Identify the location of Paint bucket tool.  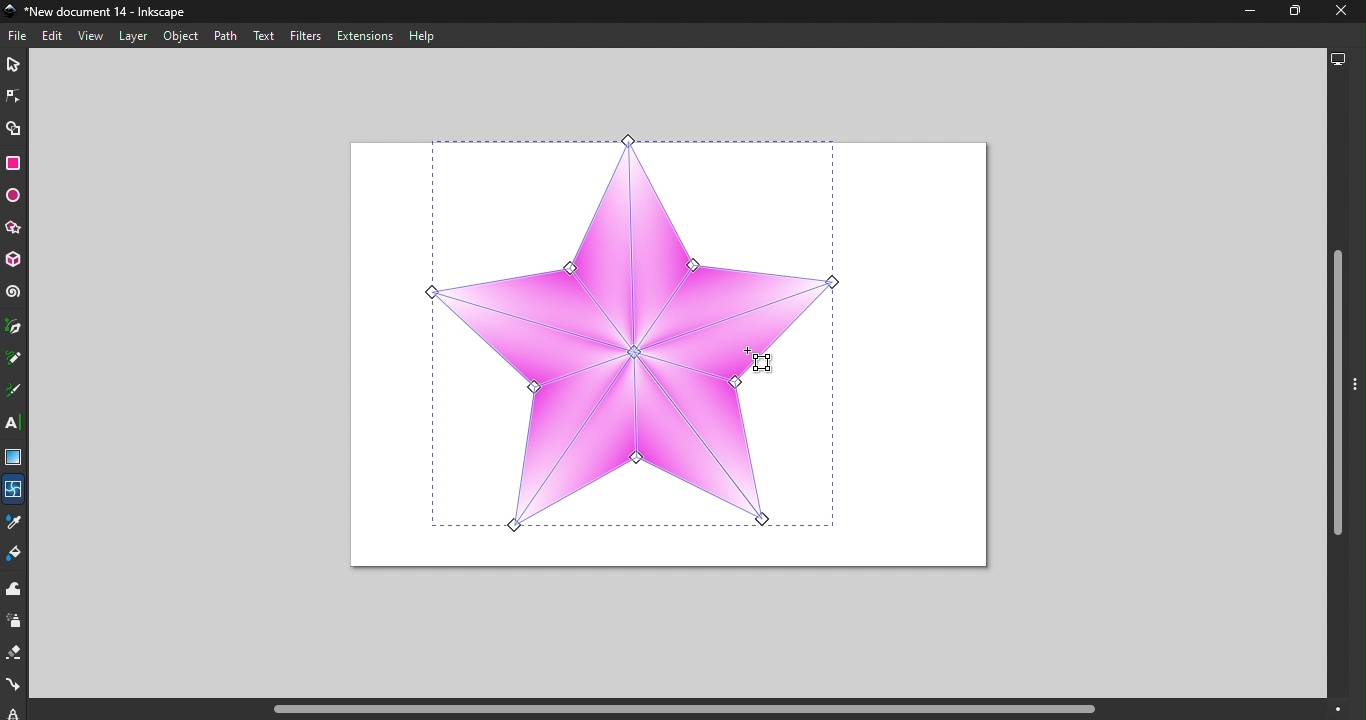
(15, 557).